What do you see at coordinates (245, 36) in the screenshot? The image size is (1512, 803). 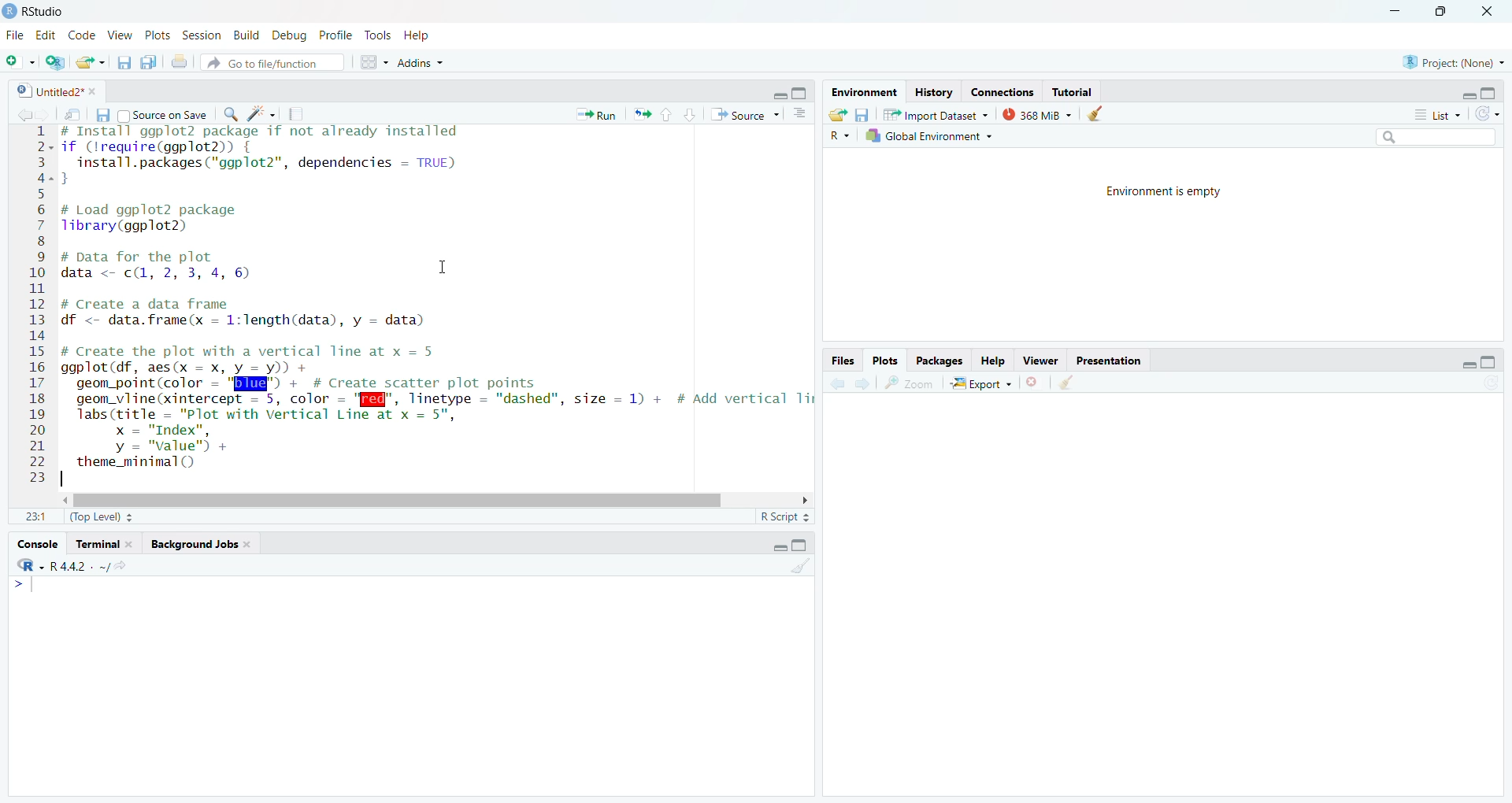 I see `n Build` at bounding box center [245, 36].